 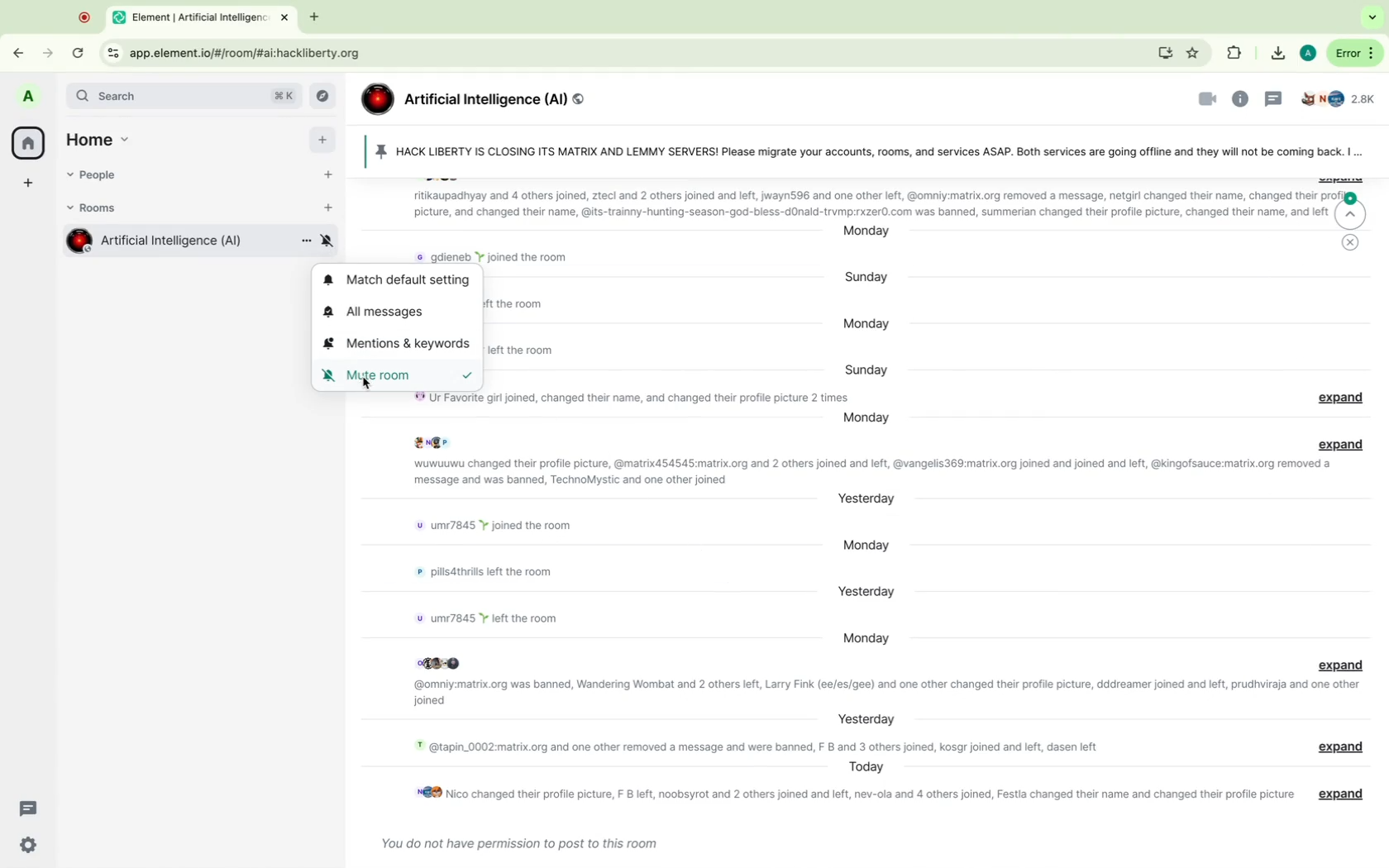 I want to click on message, so click(x=873, y=203).